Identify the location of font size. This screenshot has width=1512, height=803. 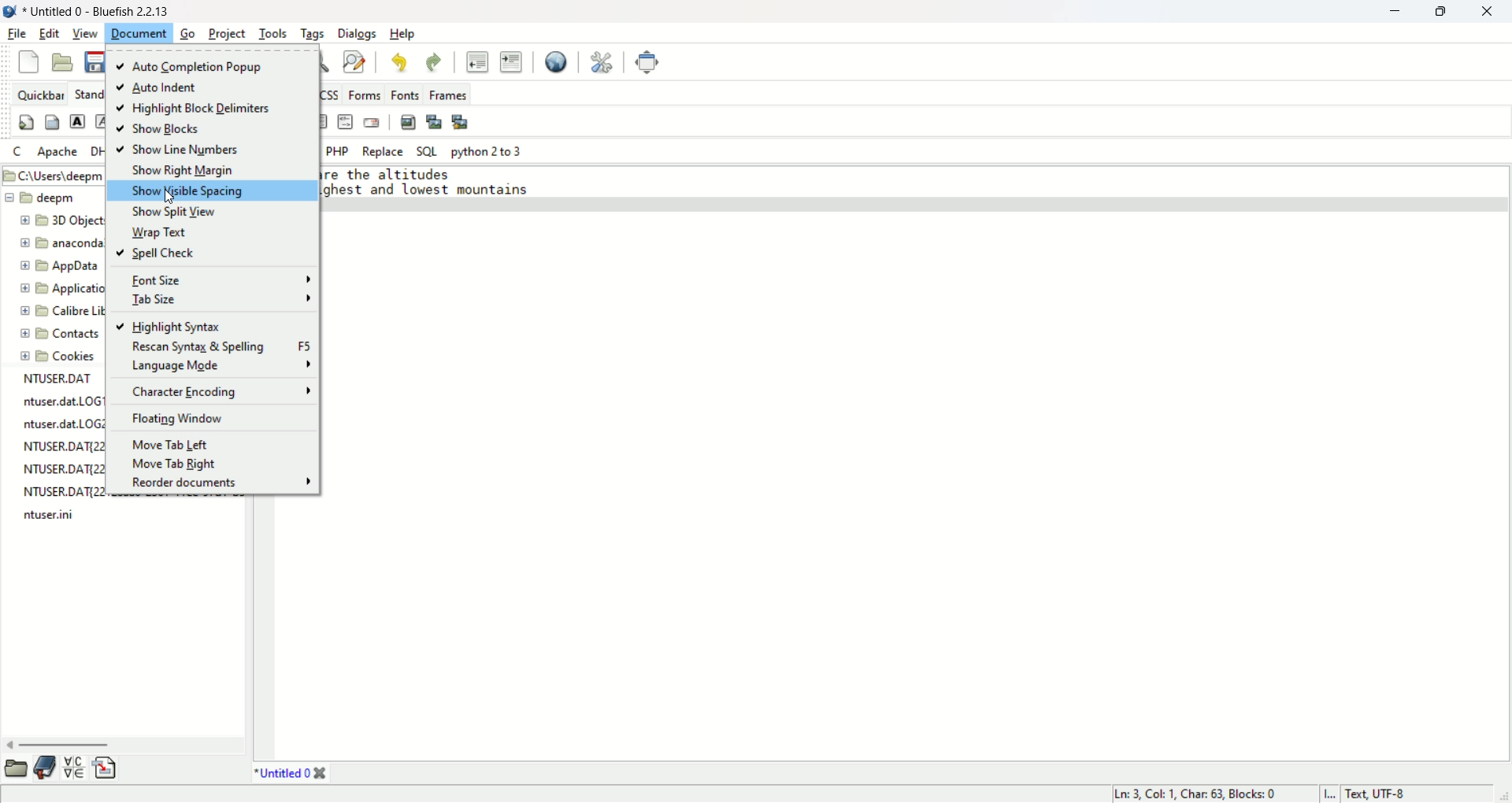
(219, 279).